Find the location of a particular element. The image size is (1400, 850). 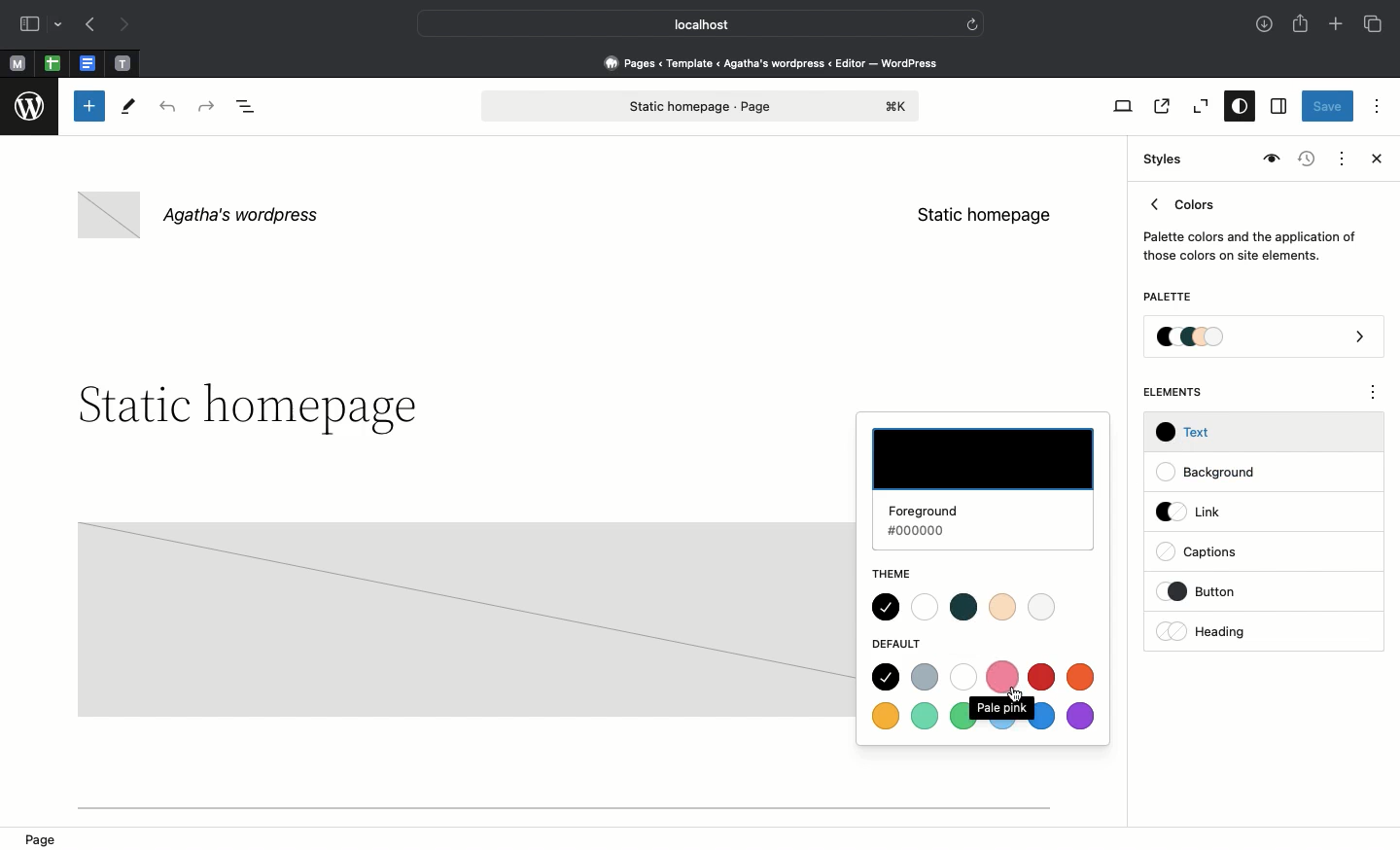

Default colors is located at coordinates (986, 699).